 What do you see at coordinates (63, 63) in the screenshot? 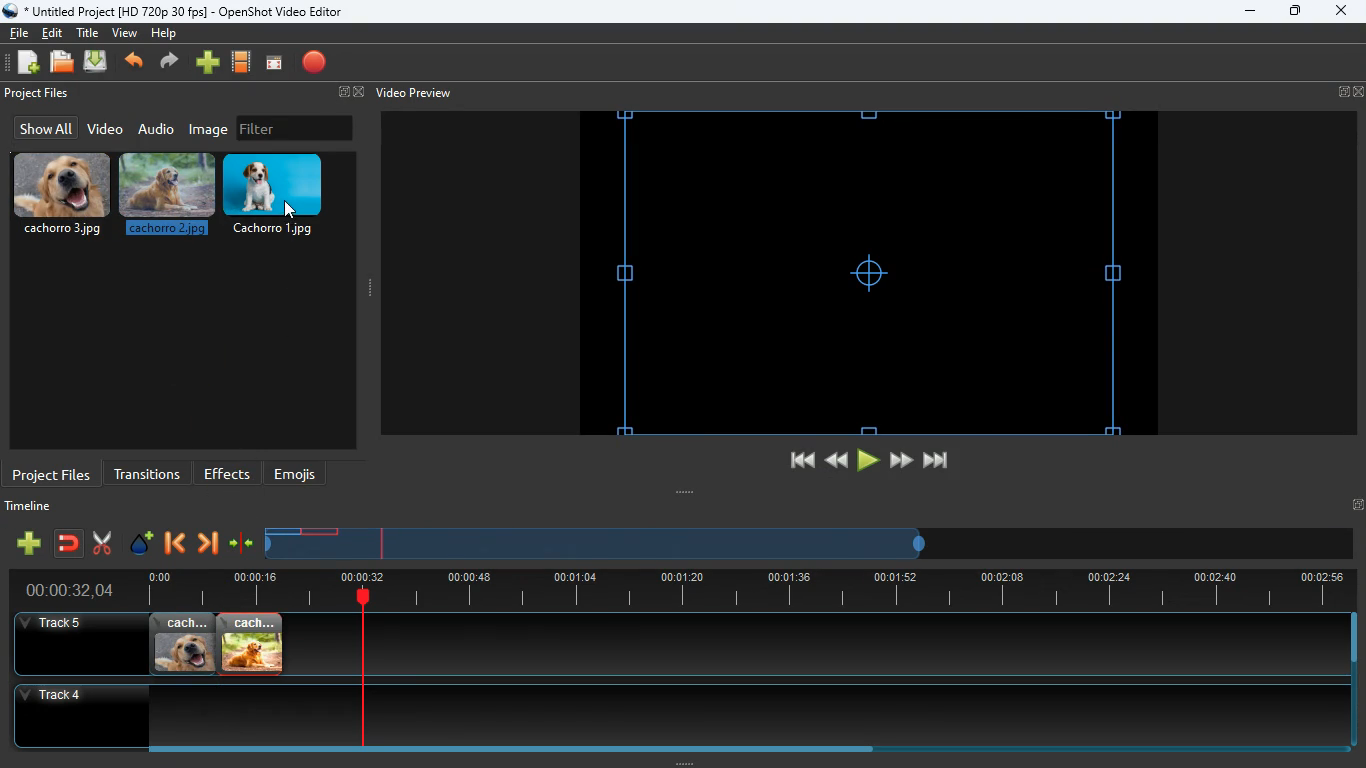
I see `files` at bounding box center [63, 63].